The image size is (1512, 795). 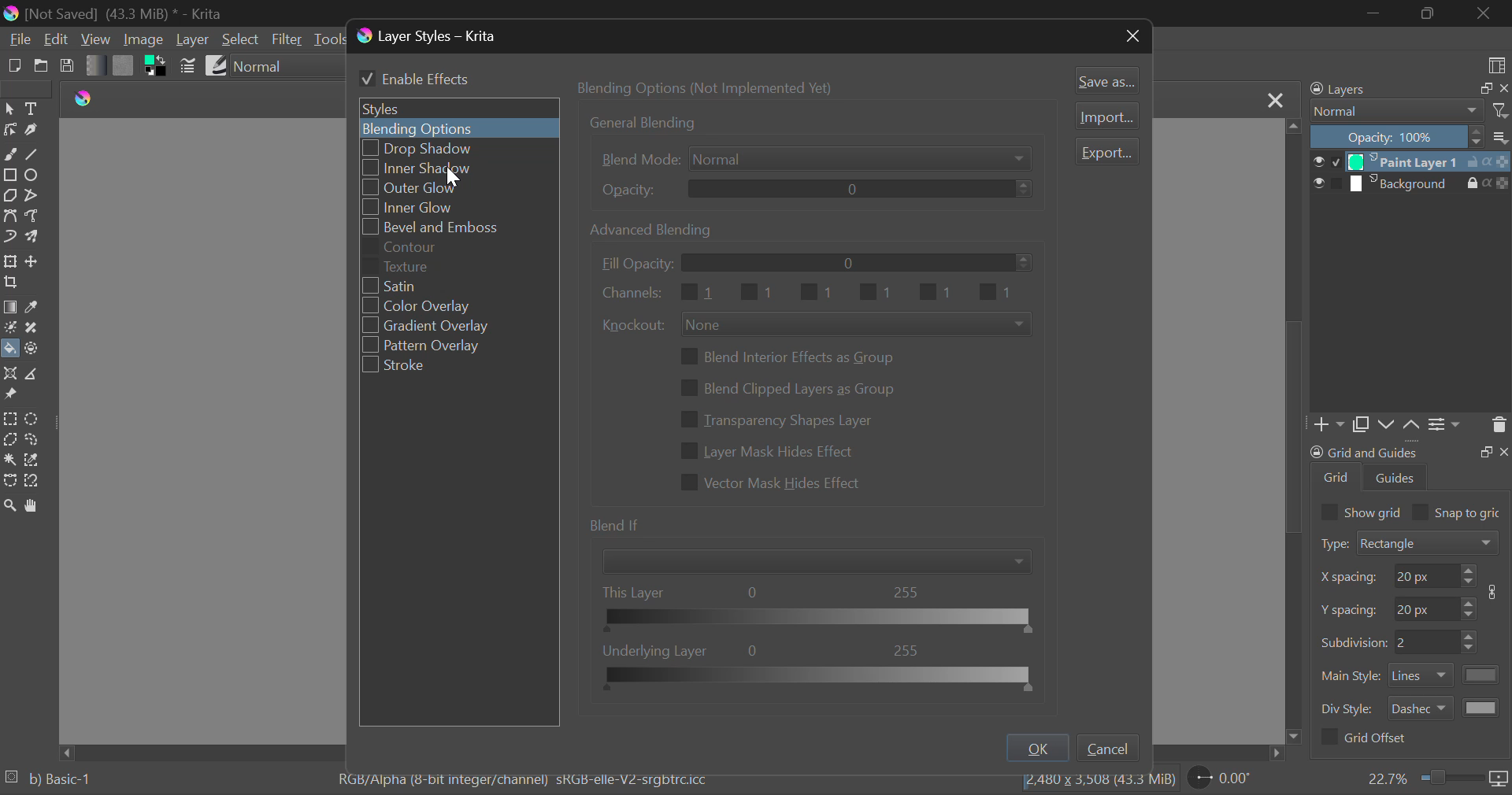 What do you see at coordinates (31, 175) in the screenshot?
I see `Ellipses Selected ` at bounding box center [31, 175].